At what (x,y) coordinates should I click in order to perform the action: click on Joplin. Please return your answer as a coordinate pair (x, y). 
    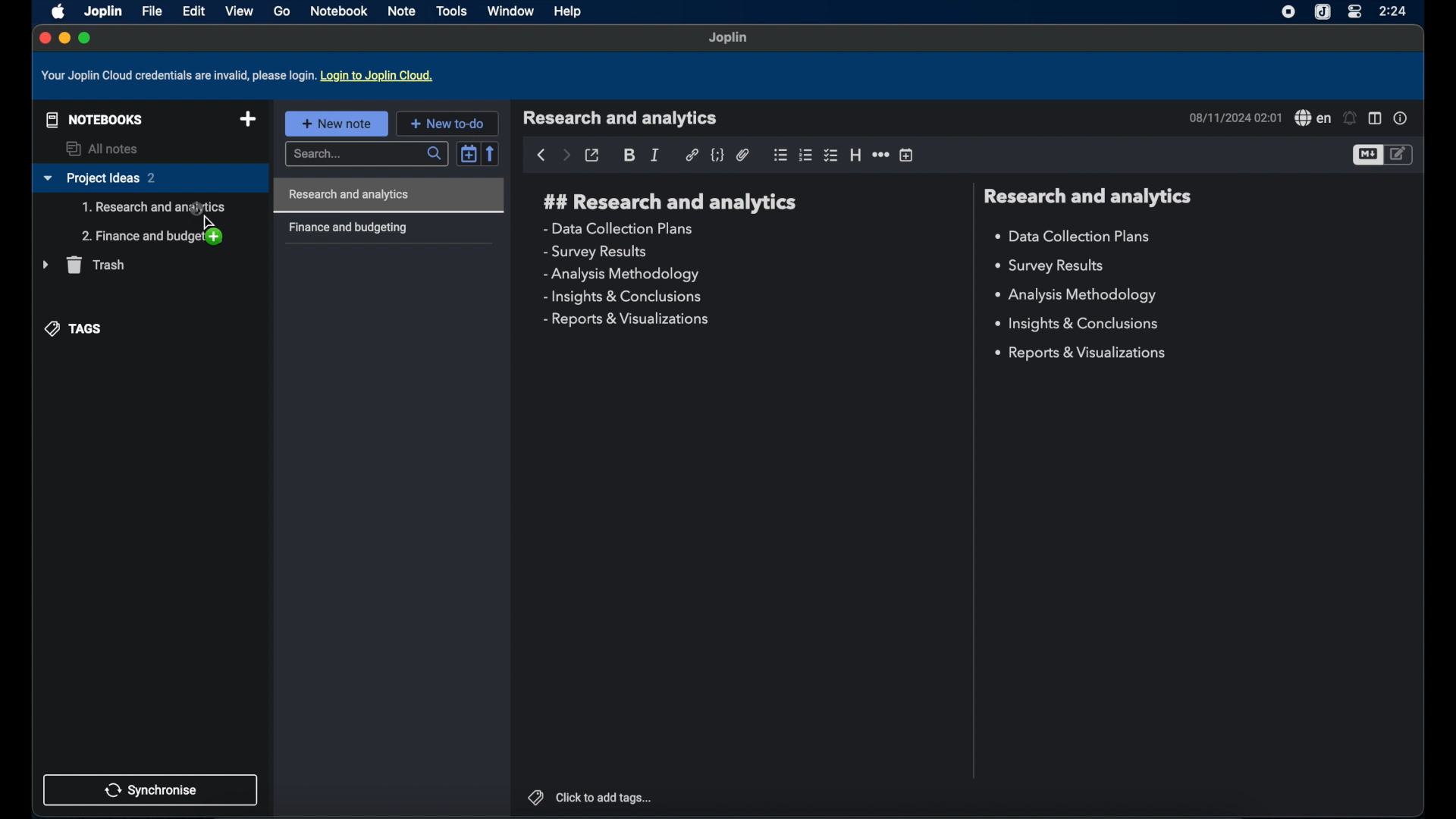
    Looking at the image, I should click on (729, 39).